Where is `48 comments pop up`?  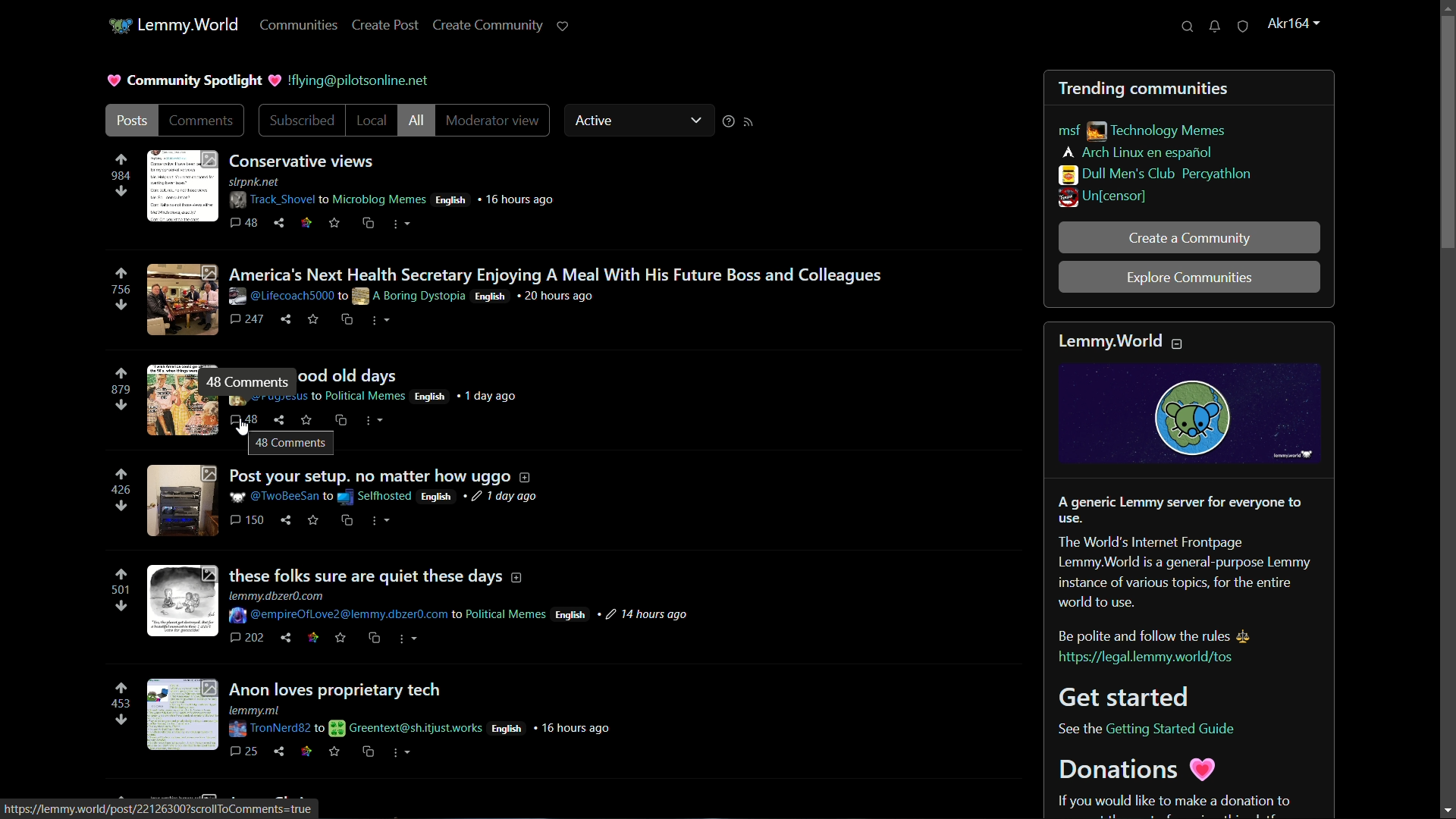
48 comments pop up is located at coordinates (290, 444).